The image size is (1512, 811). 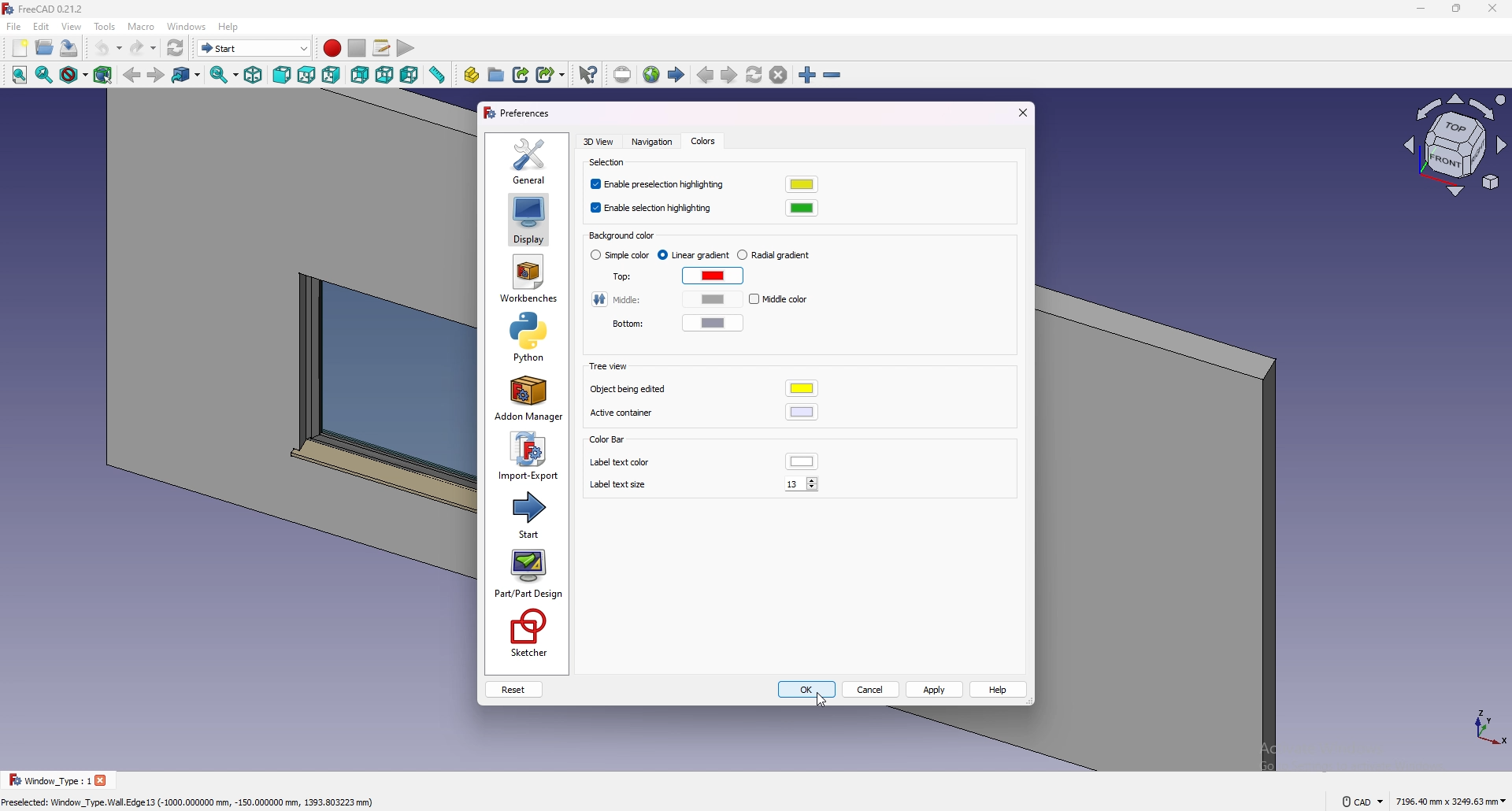 I want to click on create part, so click(x=472, y=75).